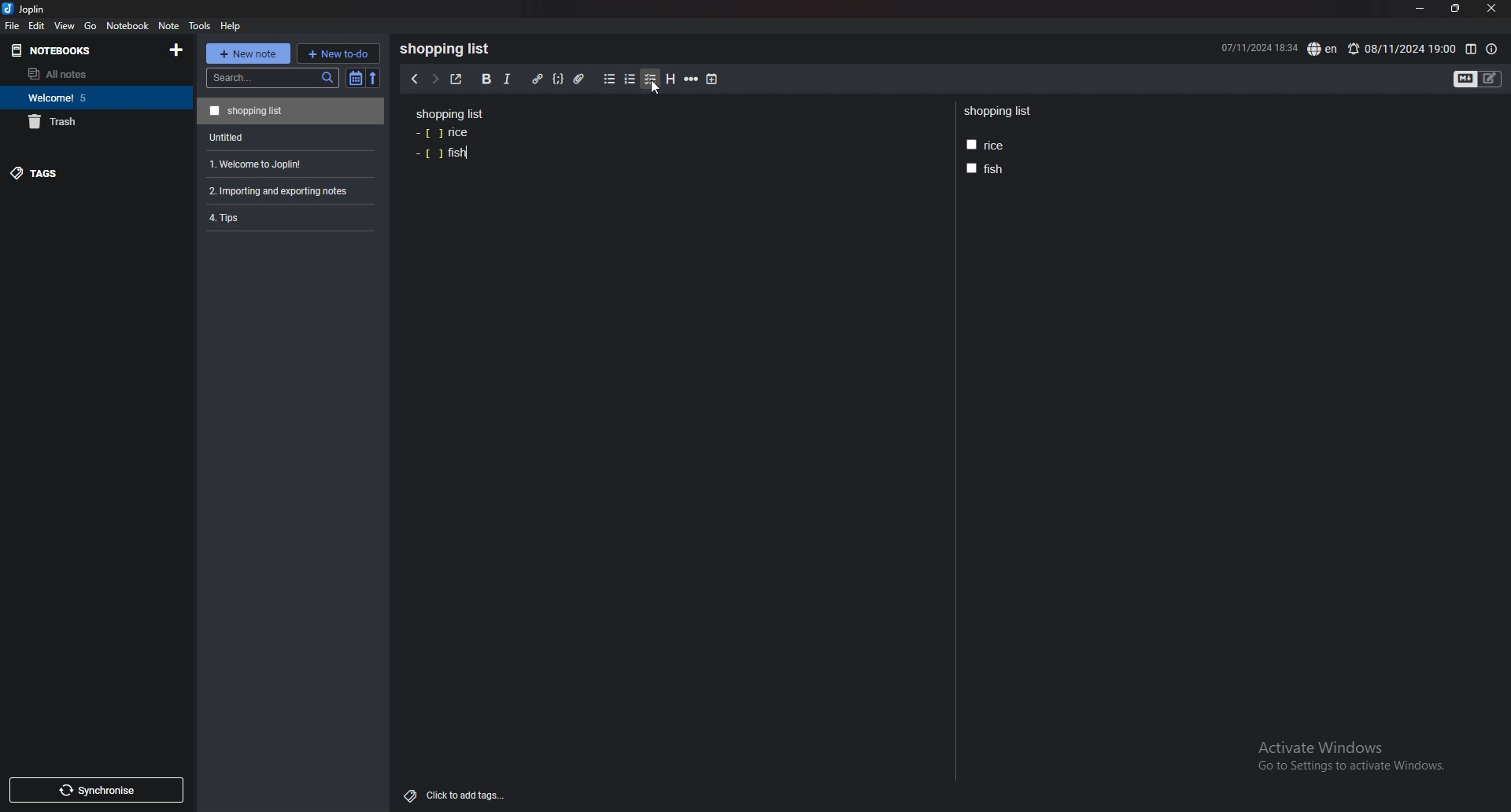 The height and width of the screenshot is (812, 1511). I want to click on tools, so click(199, 26).